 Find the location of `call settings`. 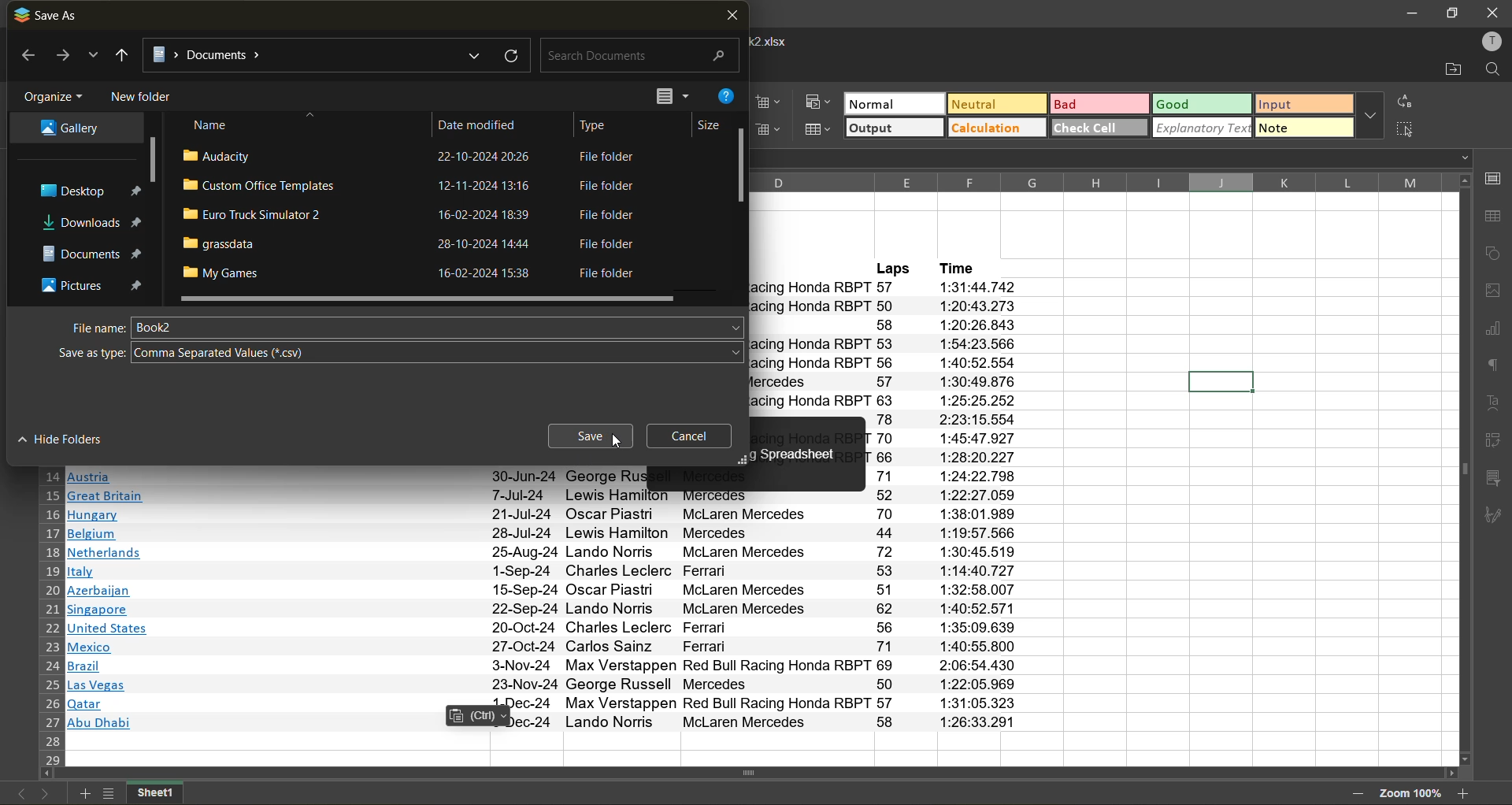

call settings is located at coordinates (1495, 180).